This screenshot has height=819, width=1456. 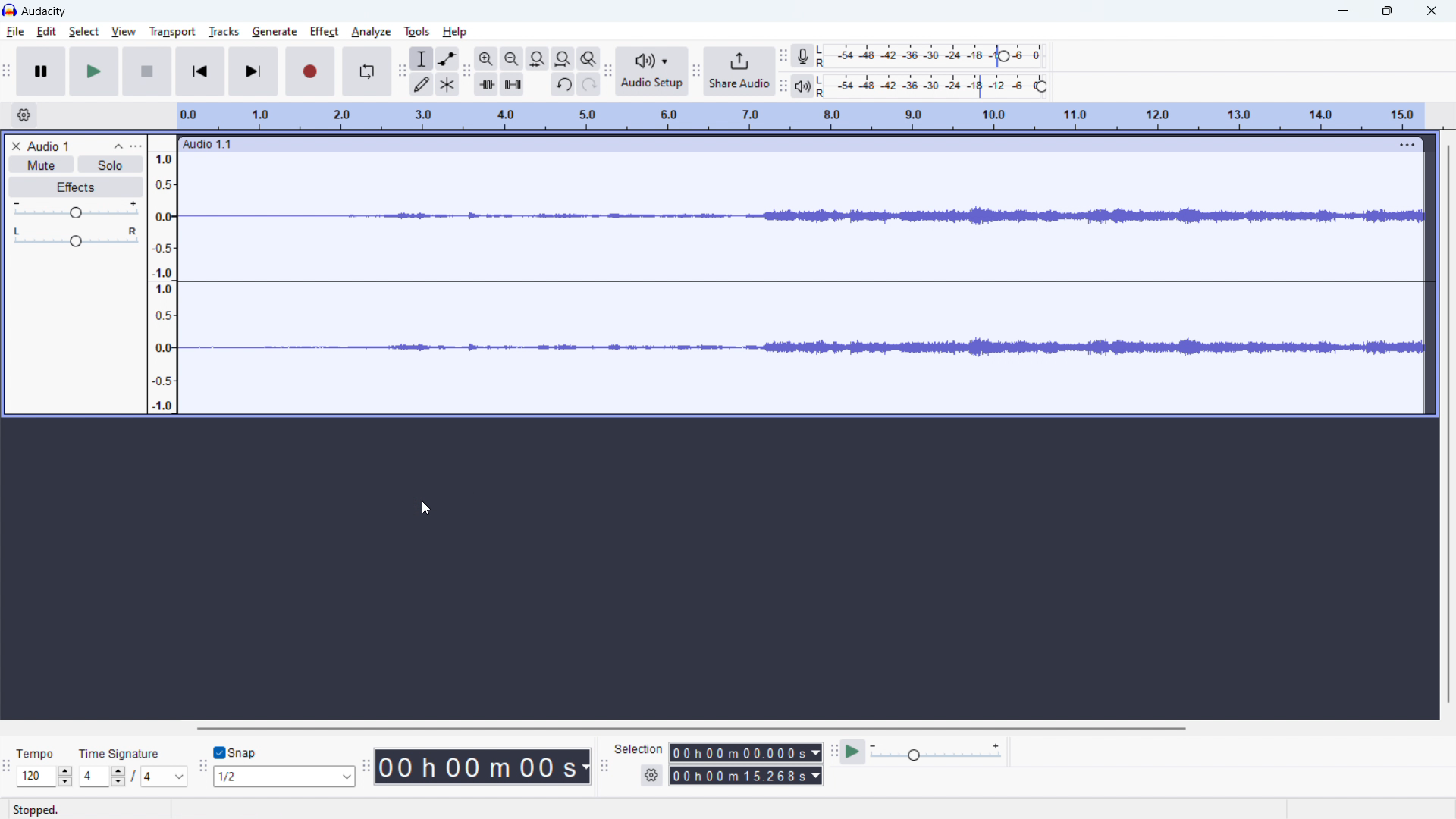 What do you see at coordinates (202, 767) in the screenshot?
I see `snapping toolbar` at bounding box center [202, 767].